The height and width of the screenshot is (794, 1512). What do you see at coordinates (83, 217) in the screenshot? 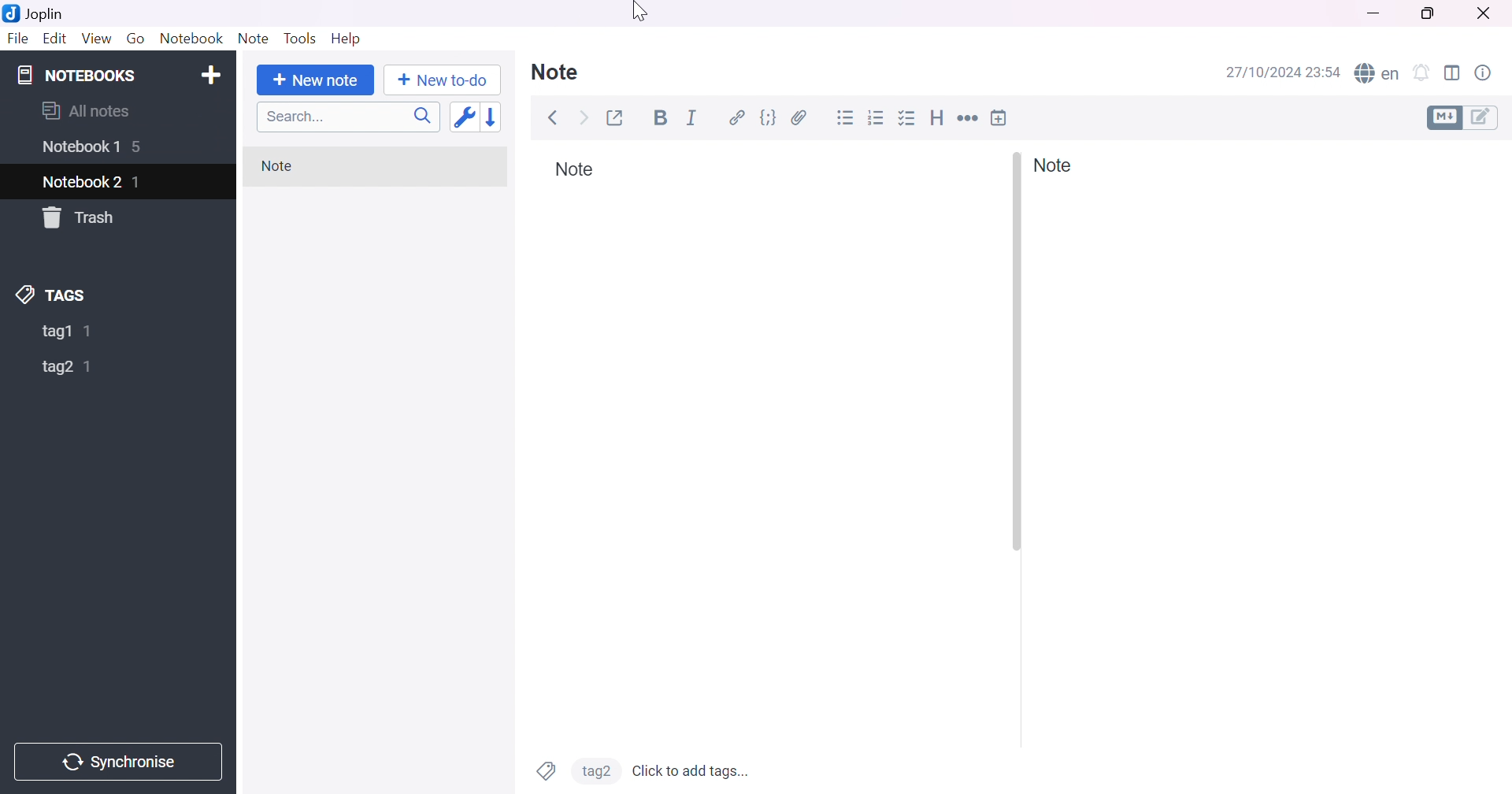
I see `Trash` at bounding box center [83, 217].